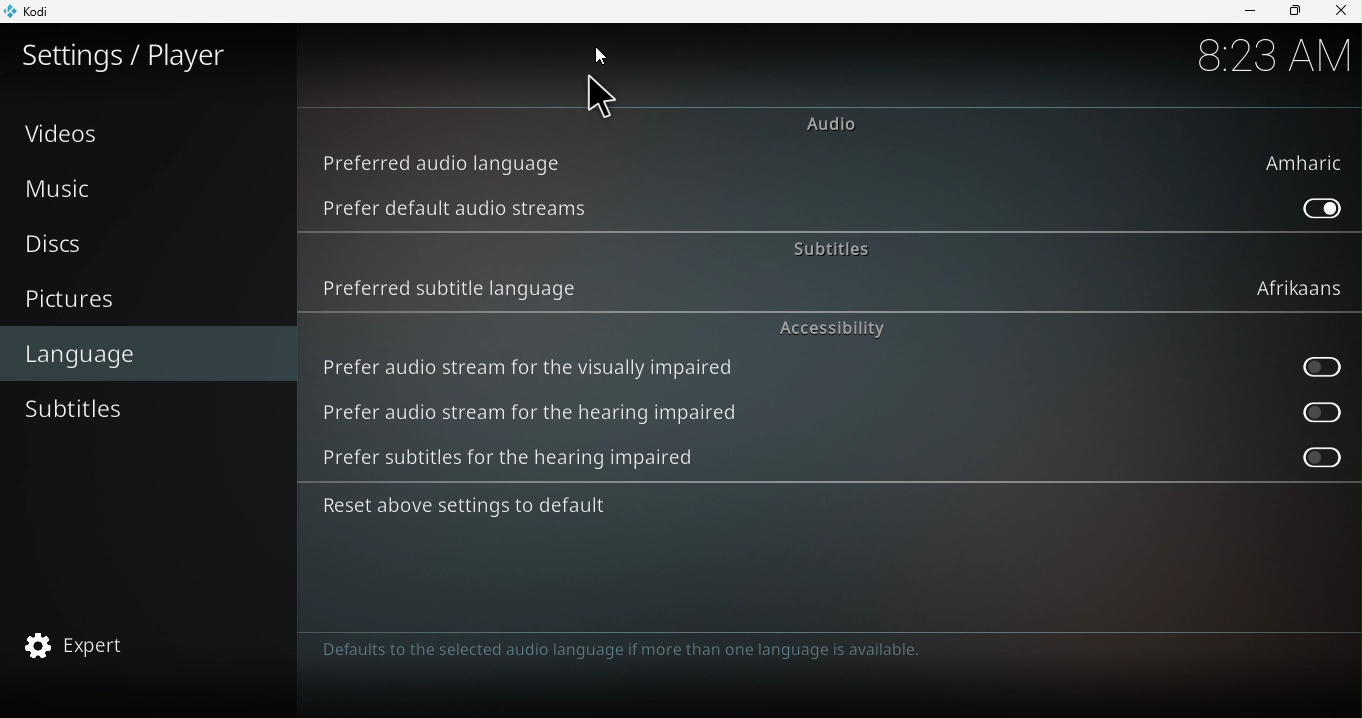  Describe the element at coordinates (826, 245) in the screenshot. I see `Subtitles` at that location.